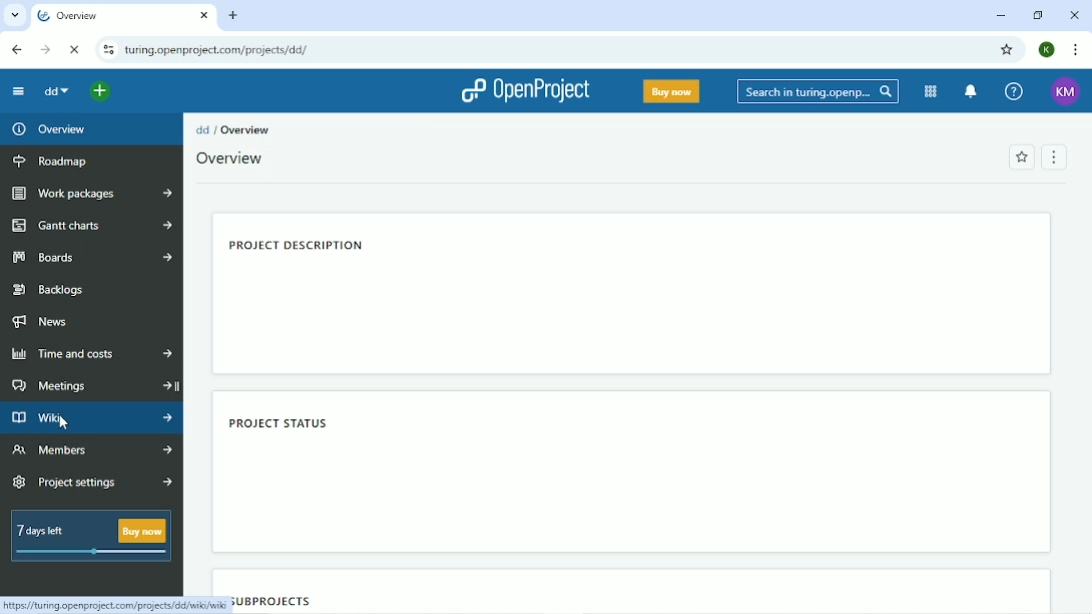  I want to click on Project description, so click(298, 247).